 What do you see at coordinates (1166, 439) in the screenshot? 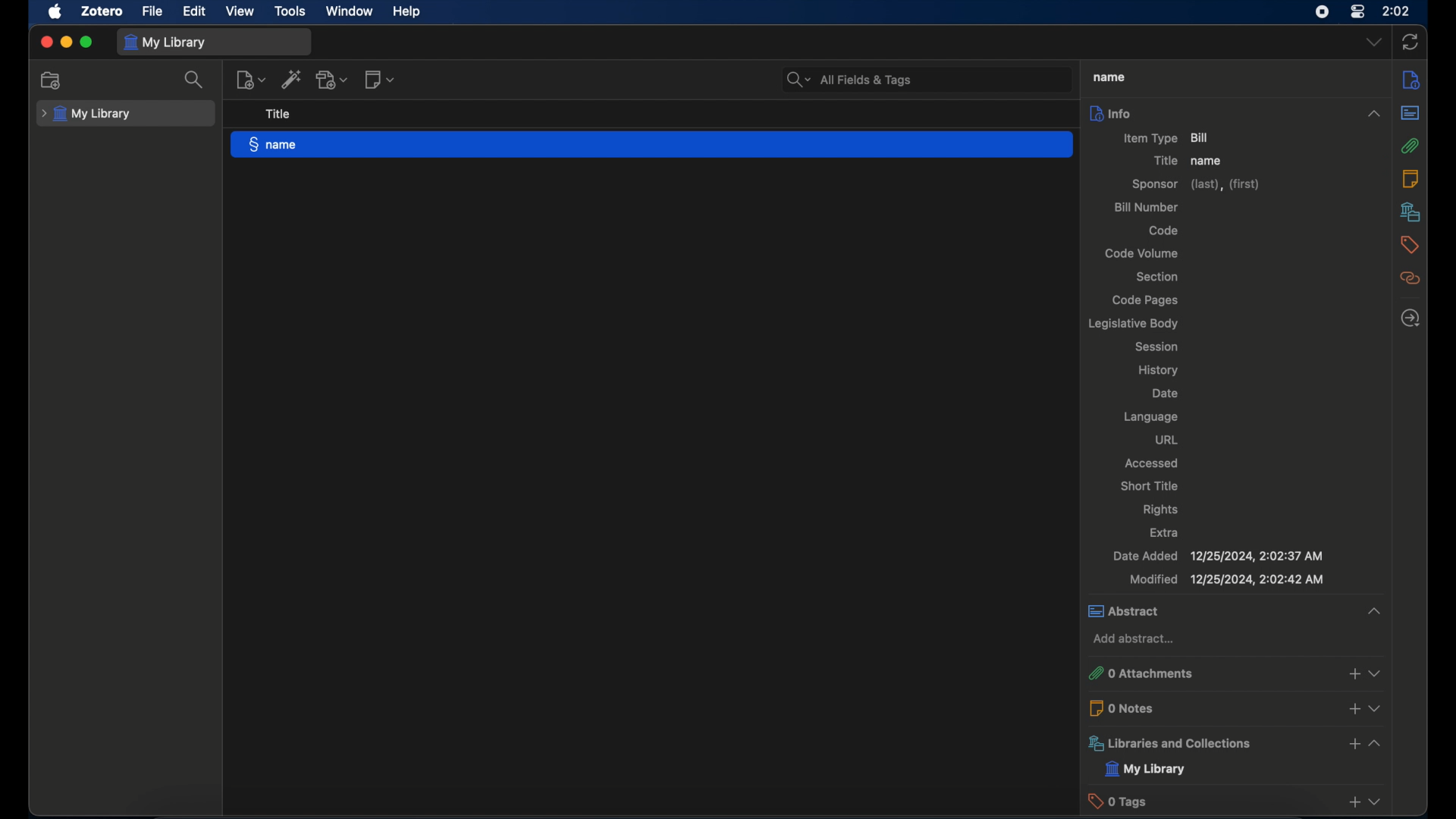
I see `url` at bounding box center [1166, 439].